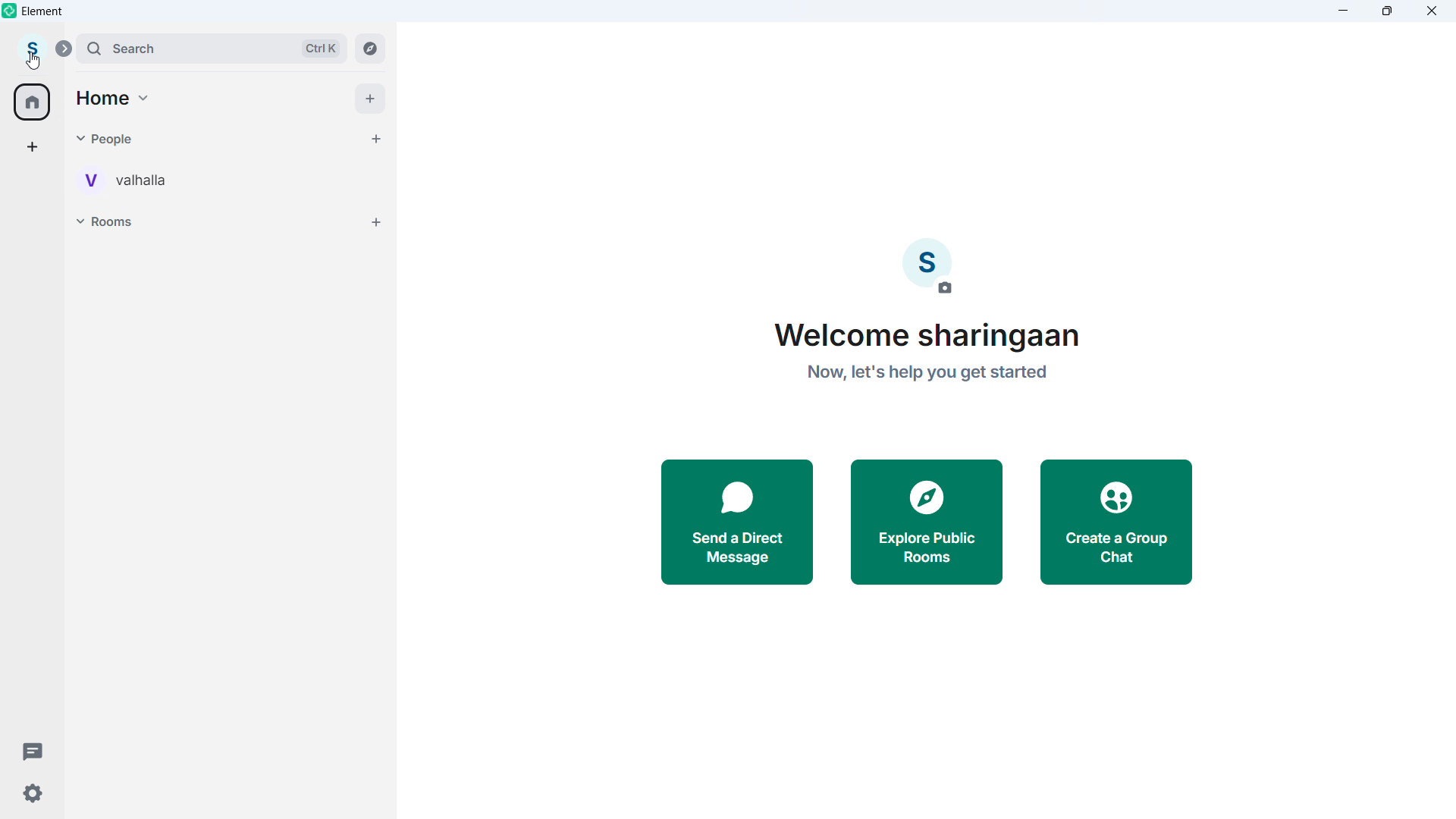 The height and width of the screenshot is (819, 1456). Describe the element at coordinates (371, 99) in the screenshot. I see `add ` at that location.